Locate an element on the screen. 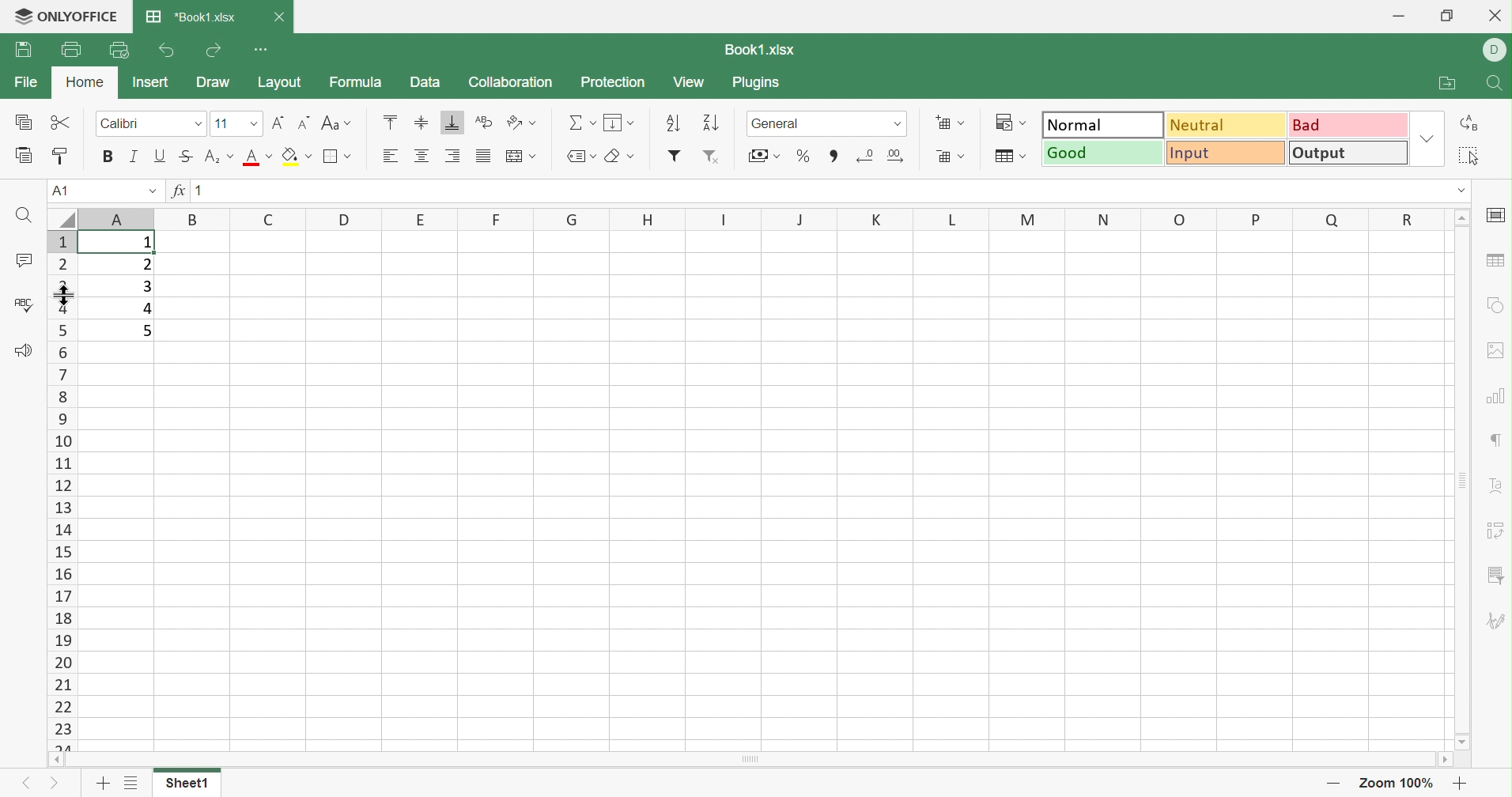  Scroll Down is located at coordinates (1462, 743).